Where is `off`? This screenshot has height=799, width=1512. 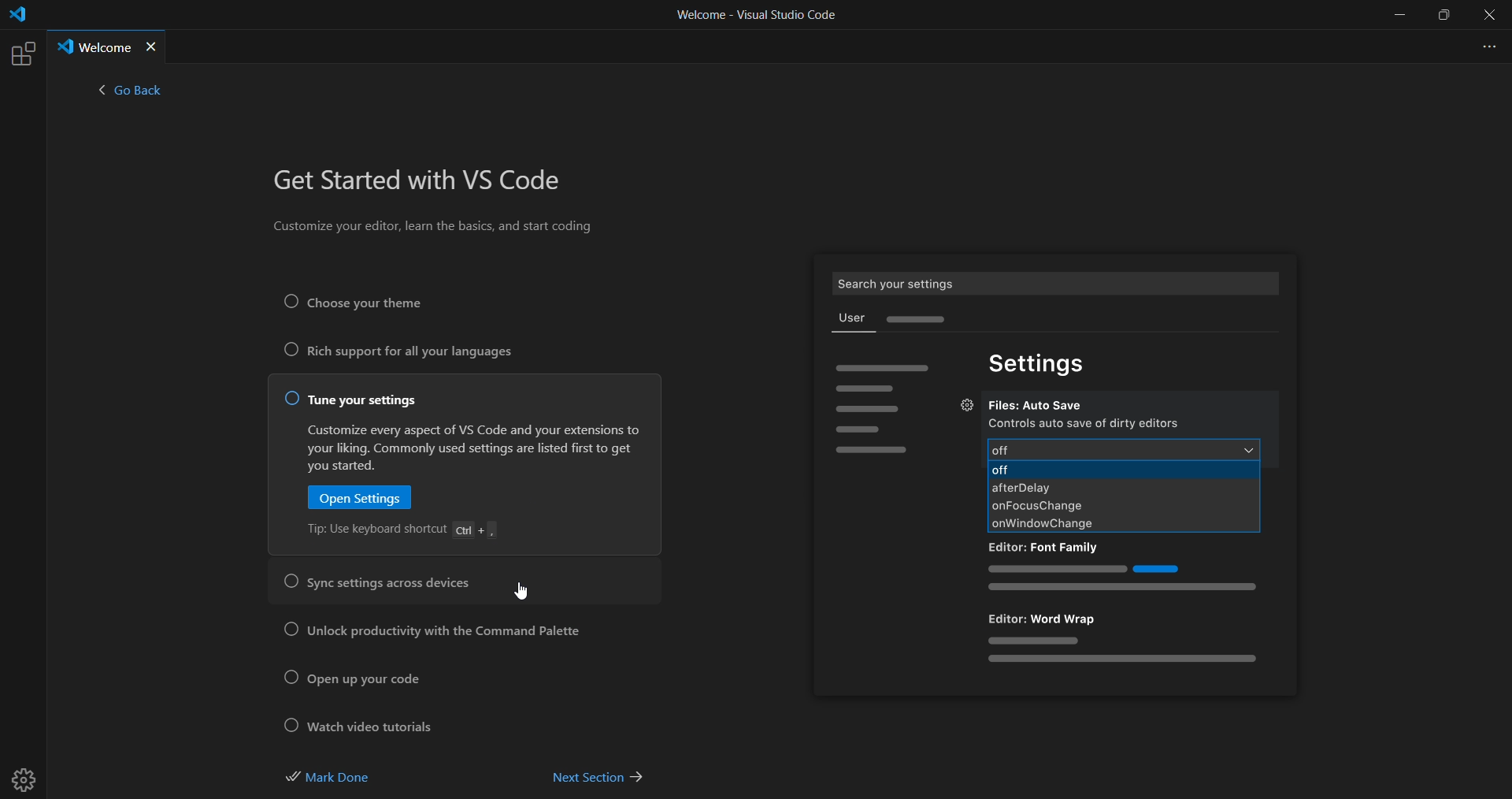 off is located at coordinates (1030, 470).